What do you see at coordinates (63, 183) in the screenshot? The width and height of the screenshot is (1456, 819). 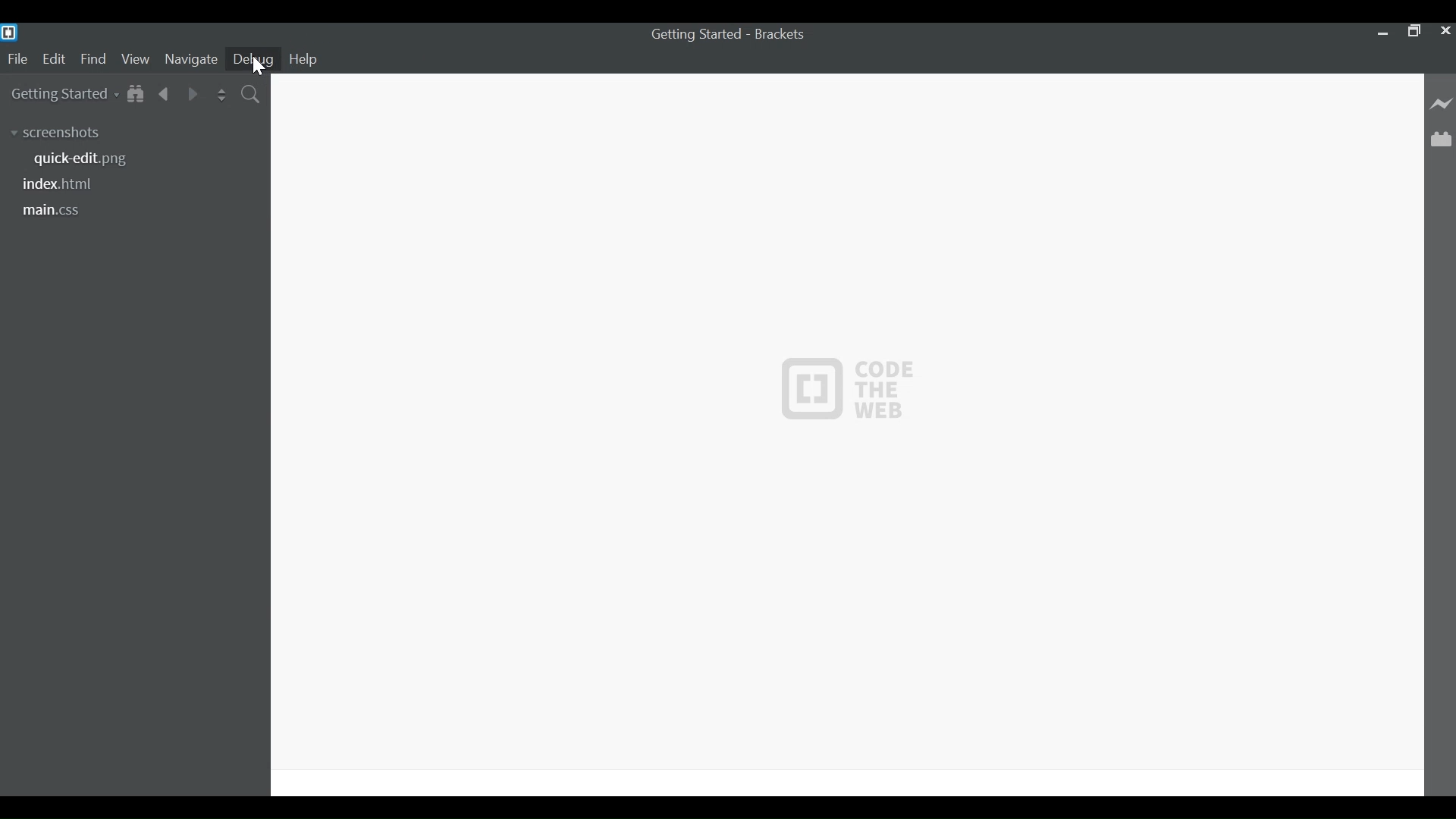 I see `index.html` at bounding box center [63, 183].